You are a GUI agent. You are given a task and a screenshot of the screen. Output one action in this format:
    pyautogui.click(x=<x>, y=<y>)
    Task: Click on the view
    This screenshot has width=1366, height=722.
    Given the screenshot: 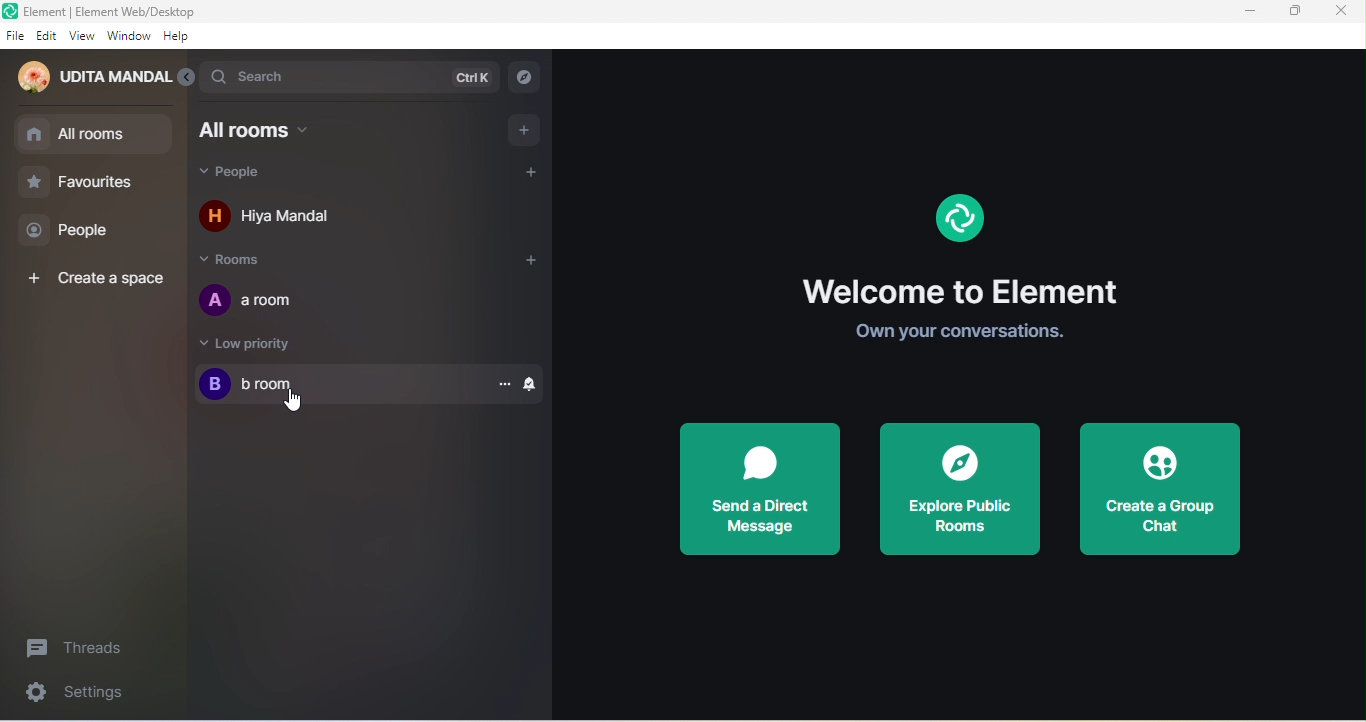 What is the action you would take?
    pyautogui.click(x=82, y=39)
    